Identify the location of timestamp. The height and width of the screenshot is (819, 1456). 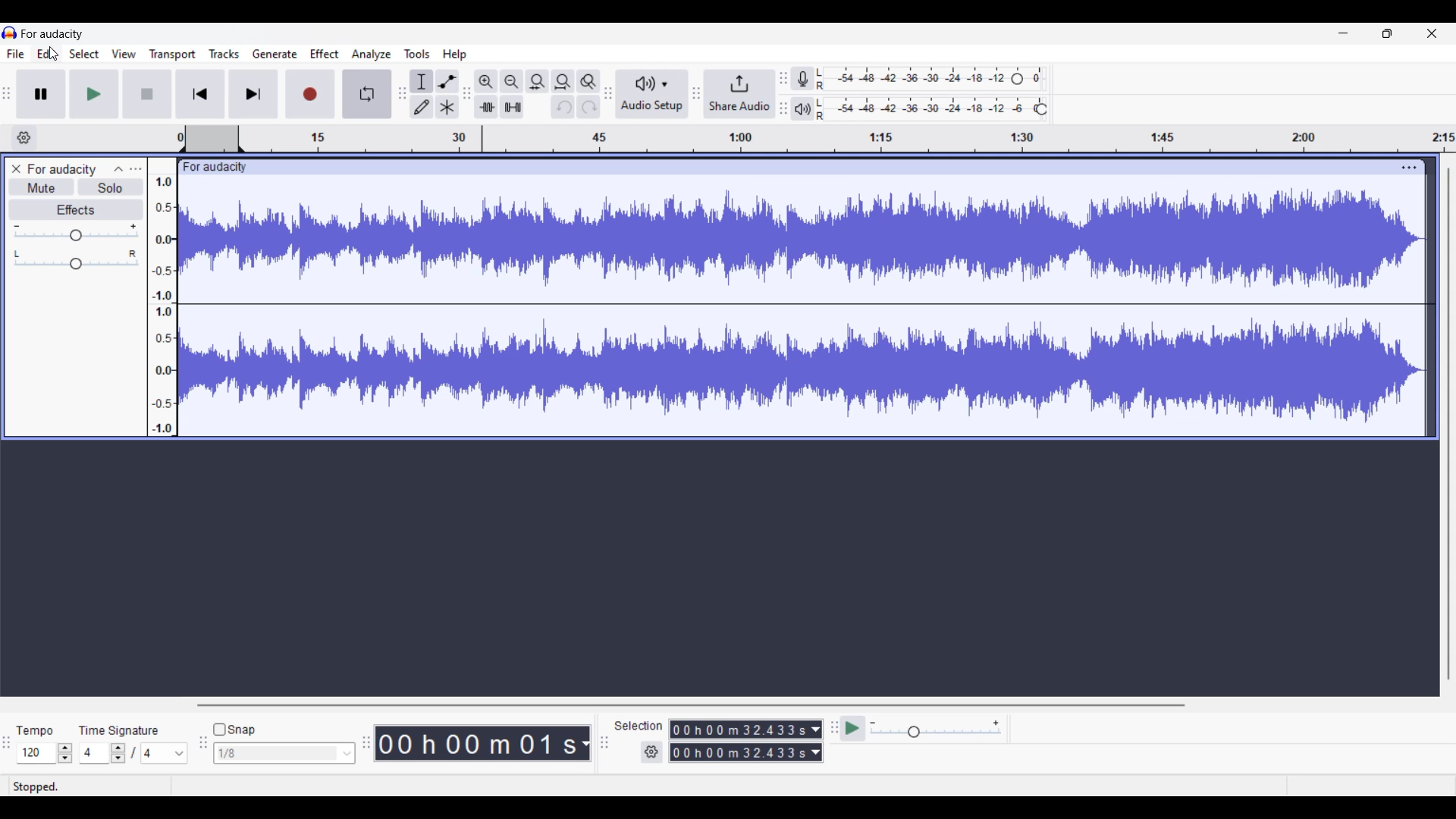
(817, 139).